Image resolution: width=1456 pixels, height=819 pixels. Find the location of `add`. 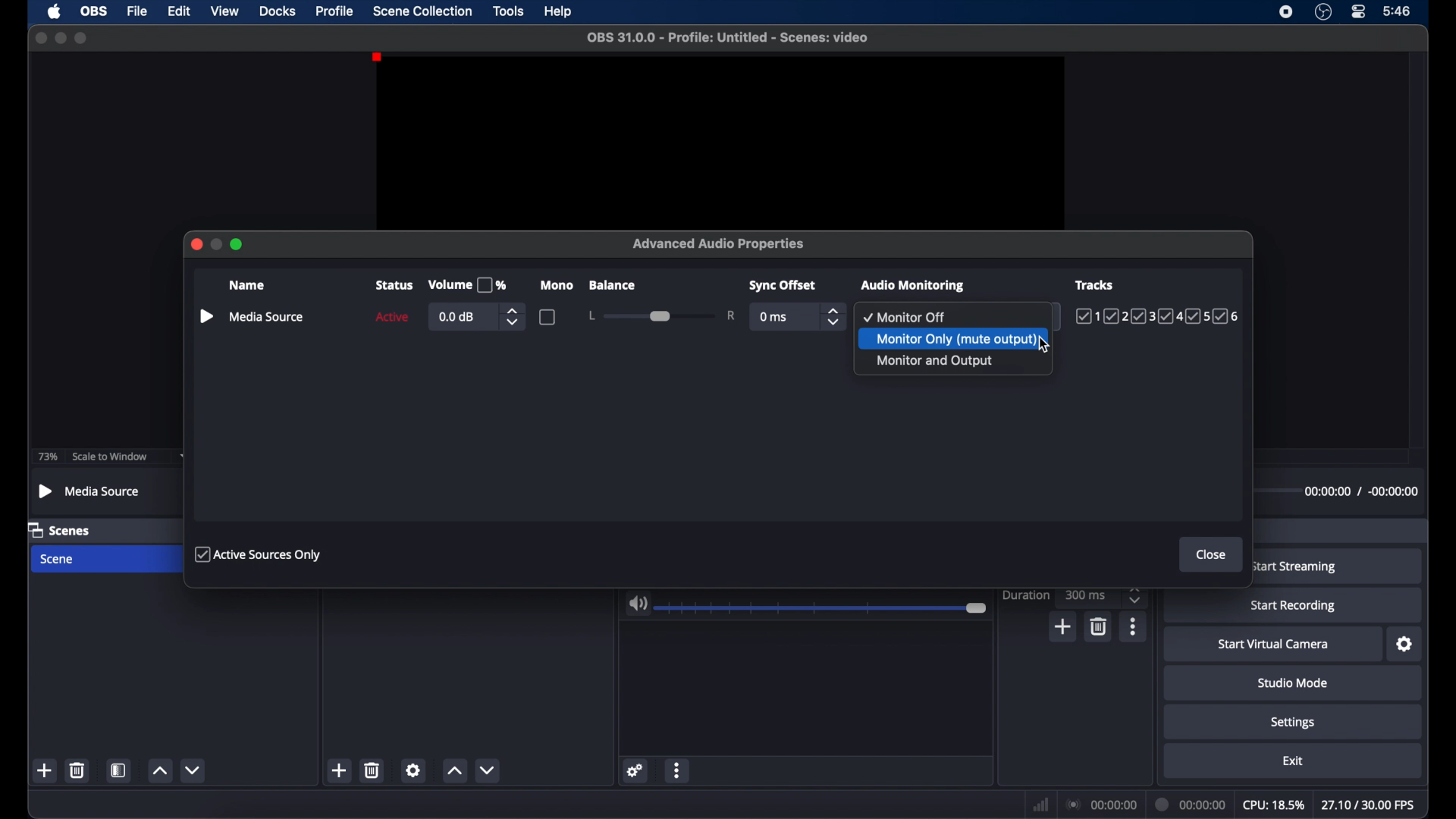

add is located at coordinates (1064, 626).